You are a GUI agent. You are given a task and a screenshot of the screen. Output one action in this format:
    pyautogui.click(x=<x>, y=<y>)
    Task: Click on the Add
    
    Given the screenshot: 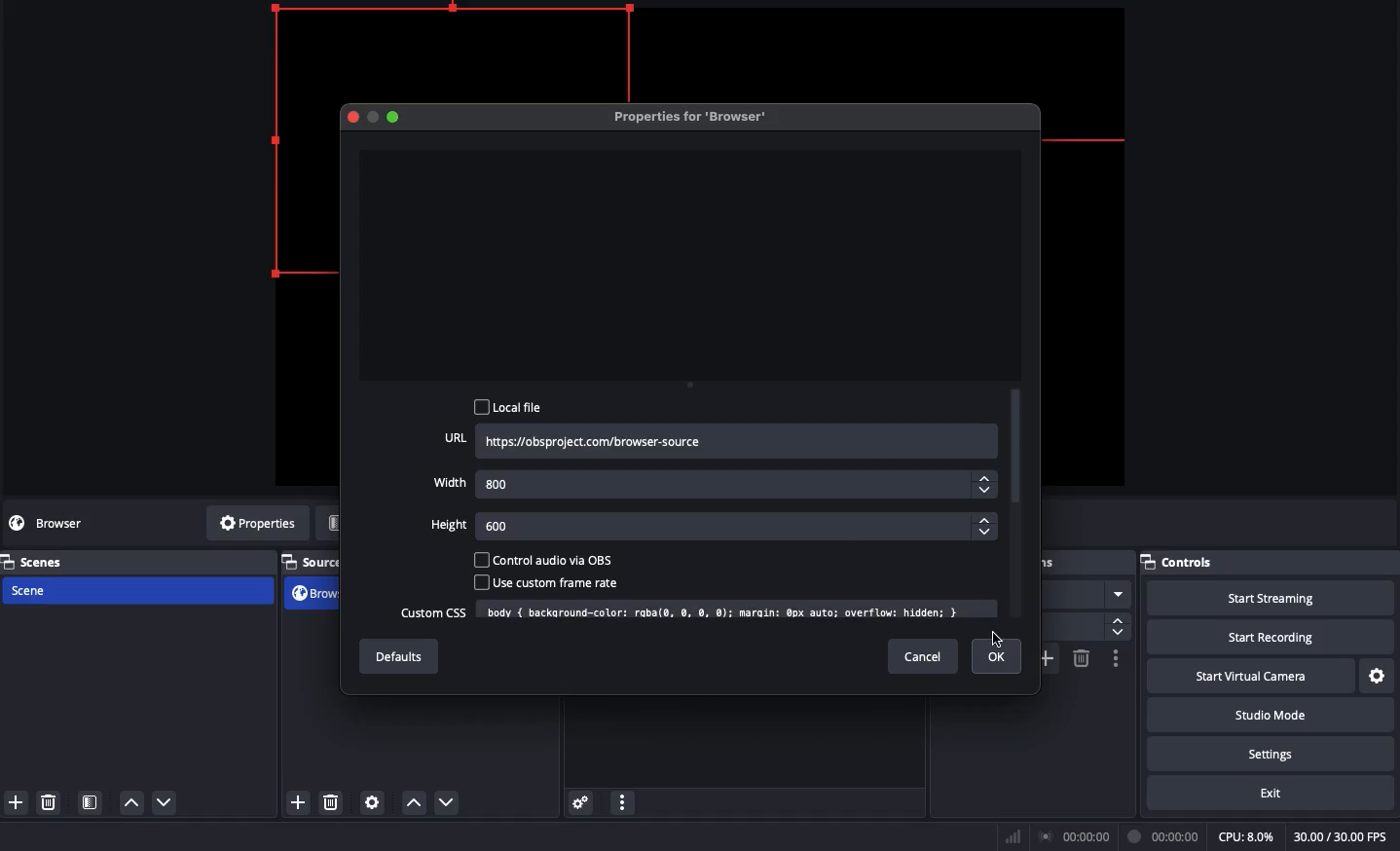 What is the action you would take?
    pyautogui.click(x=1046, y=658)
    